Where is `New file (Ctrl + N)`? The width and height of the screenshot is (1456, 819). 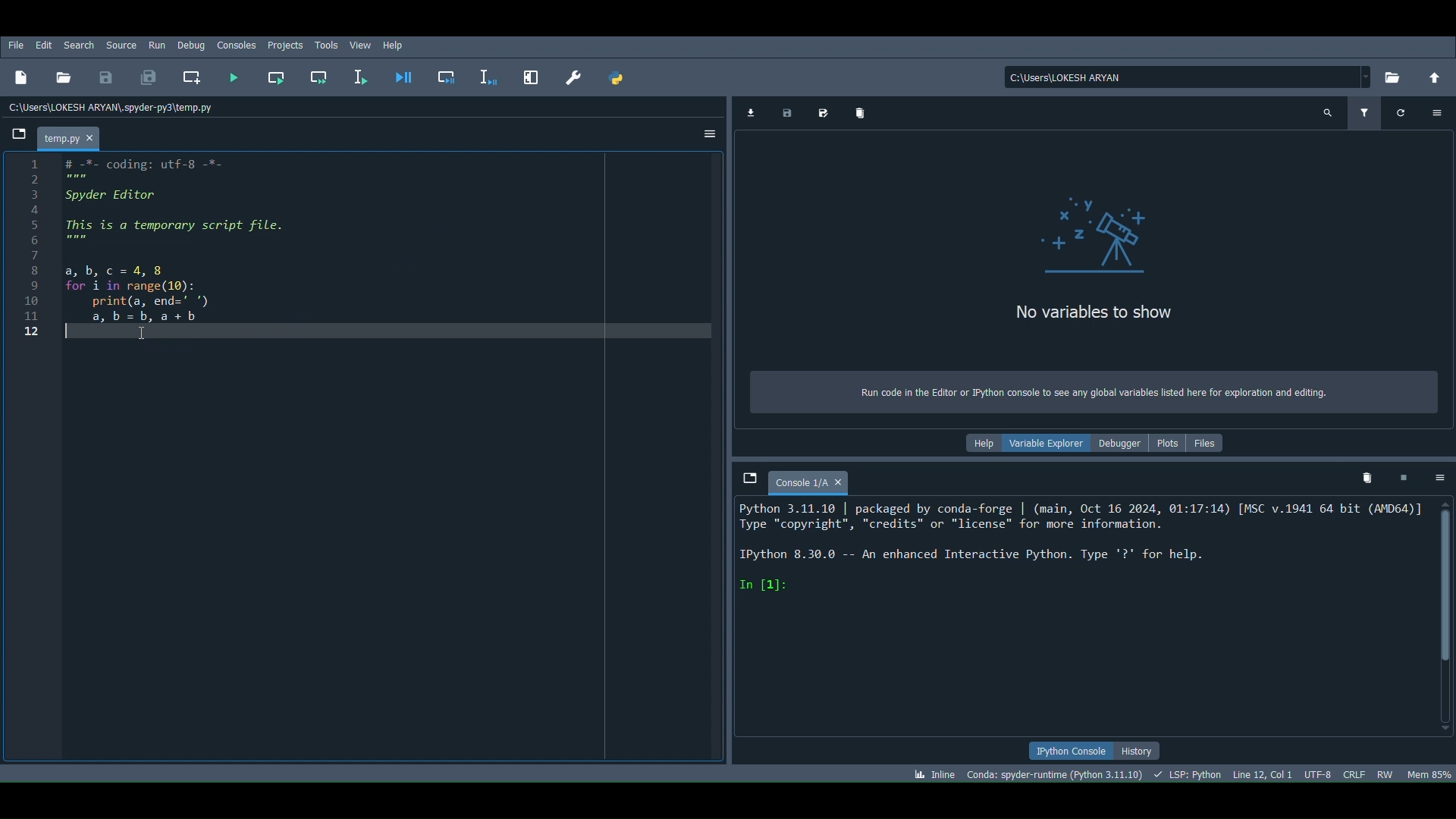 New file (Ctrl + N) is located at coordinates (21, 78).